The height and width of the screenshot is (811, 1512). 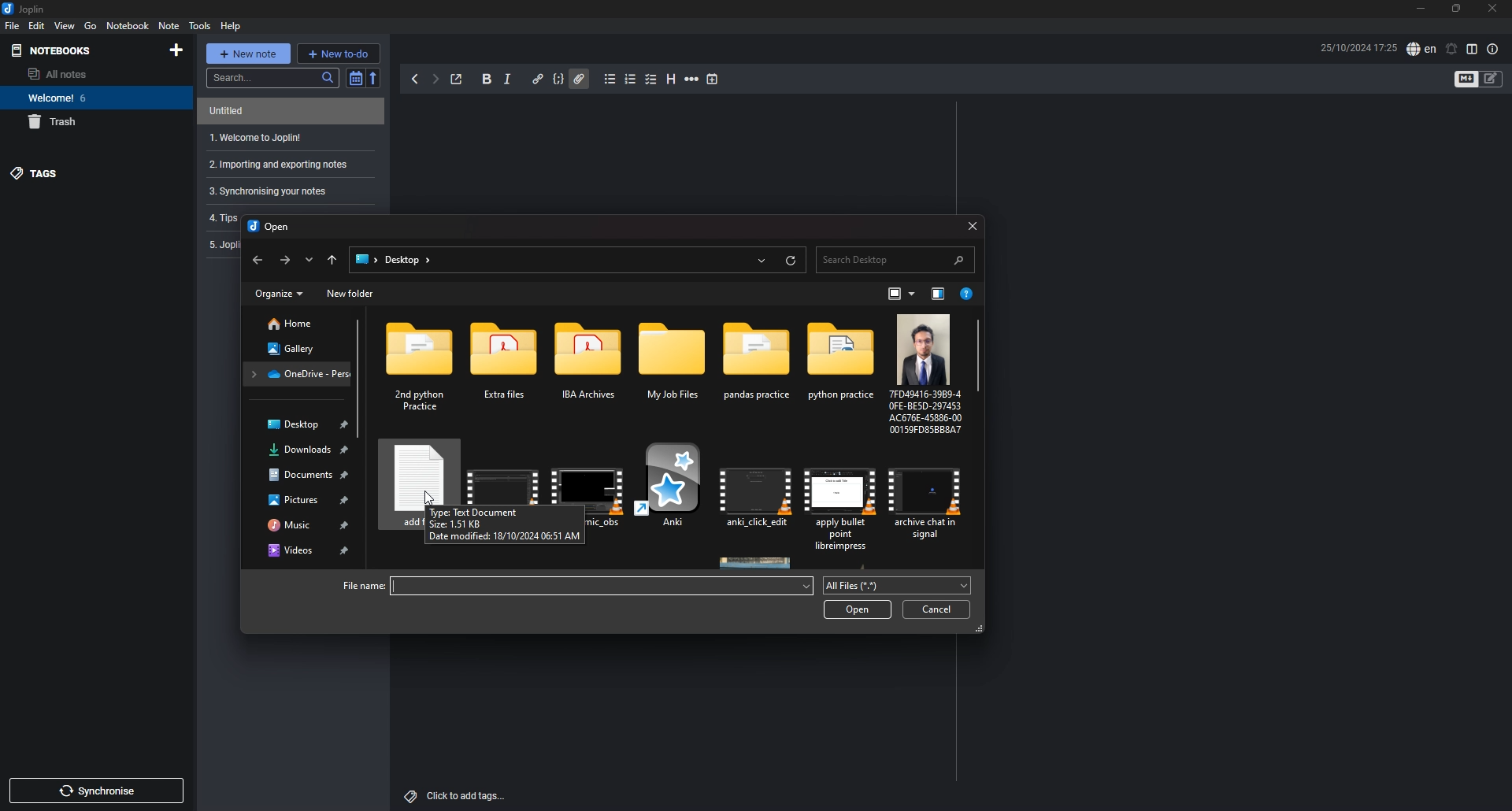 What do you see at coordinates (87, 97) in the screenshot?
I see `welcome` at bounding box center [87, 97].